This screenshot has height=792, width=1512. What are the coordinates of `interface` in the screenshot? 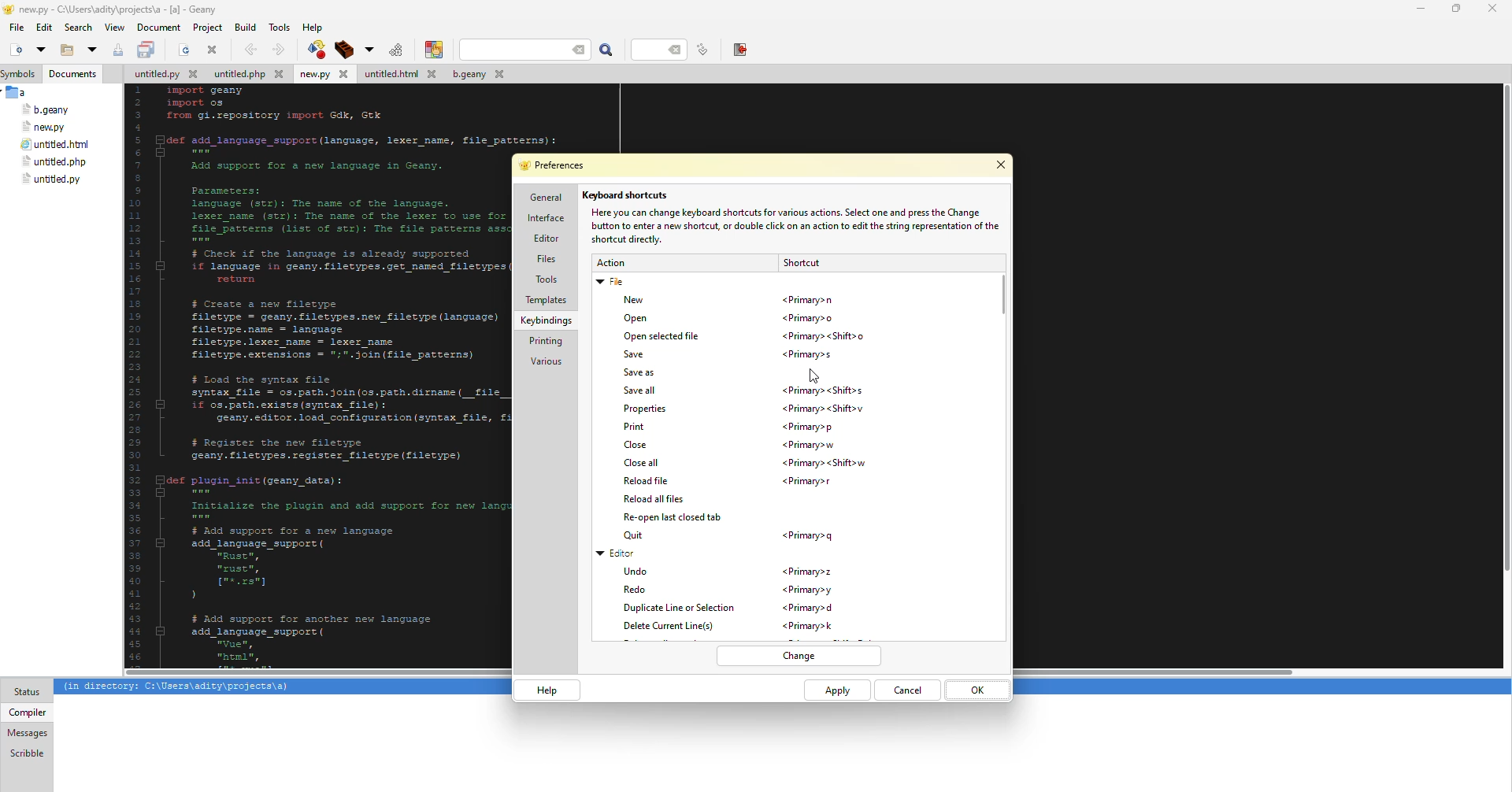 It's located at (546, 218).